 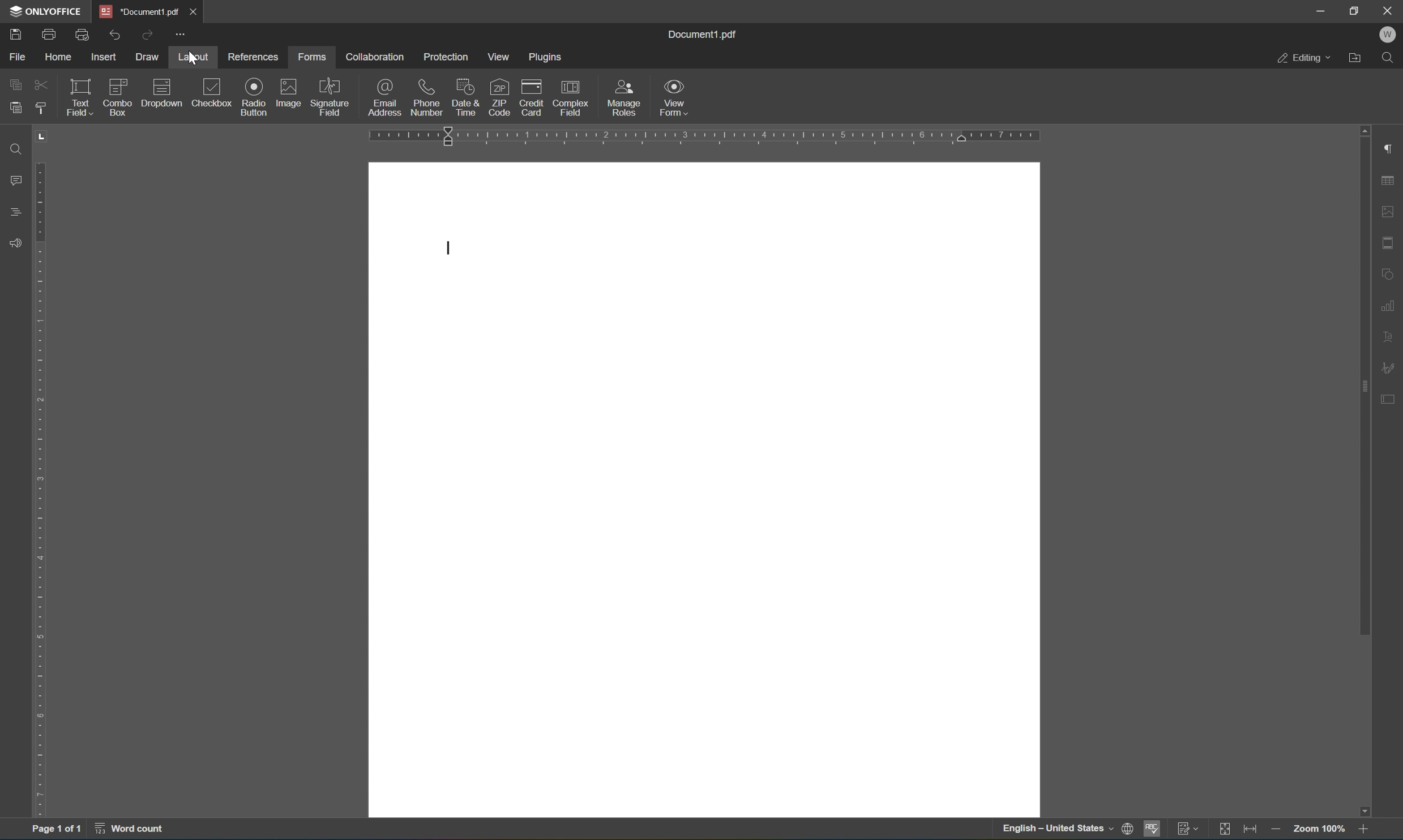 What do you see at coordinates (1364, 470) in the screenshot?
I see `scroll bar` at bounding box center [1364, 470].